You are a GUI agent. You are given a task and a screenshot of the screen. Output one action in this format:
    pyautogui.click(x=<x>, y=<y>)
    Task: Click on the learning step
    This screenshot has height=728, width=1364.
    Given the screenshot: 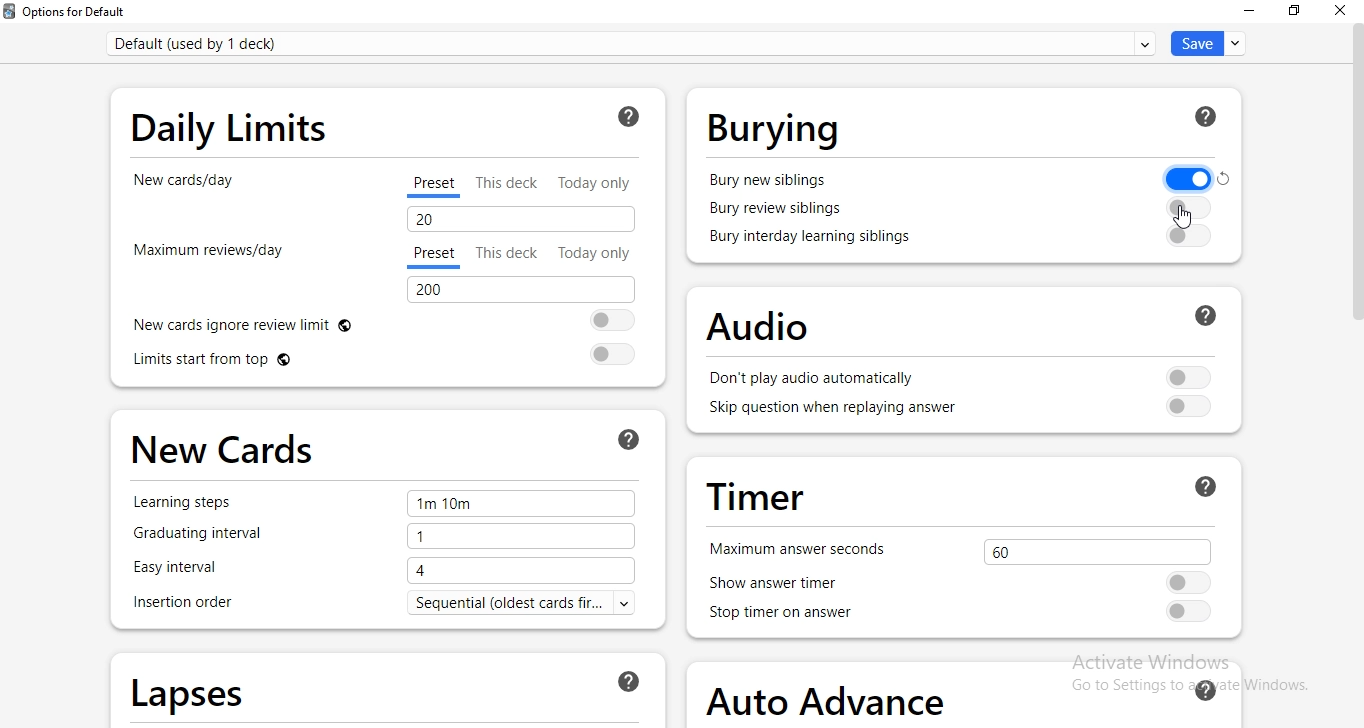 What is the action you would take?
    pyautogui.click(x=190, y=502)
    